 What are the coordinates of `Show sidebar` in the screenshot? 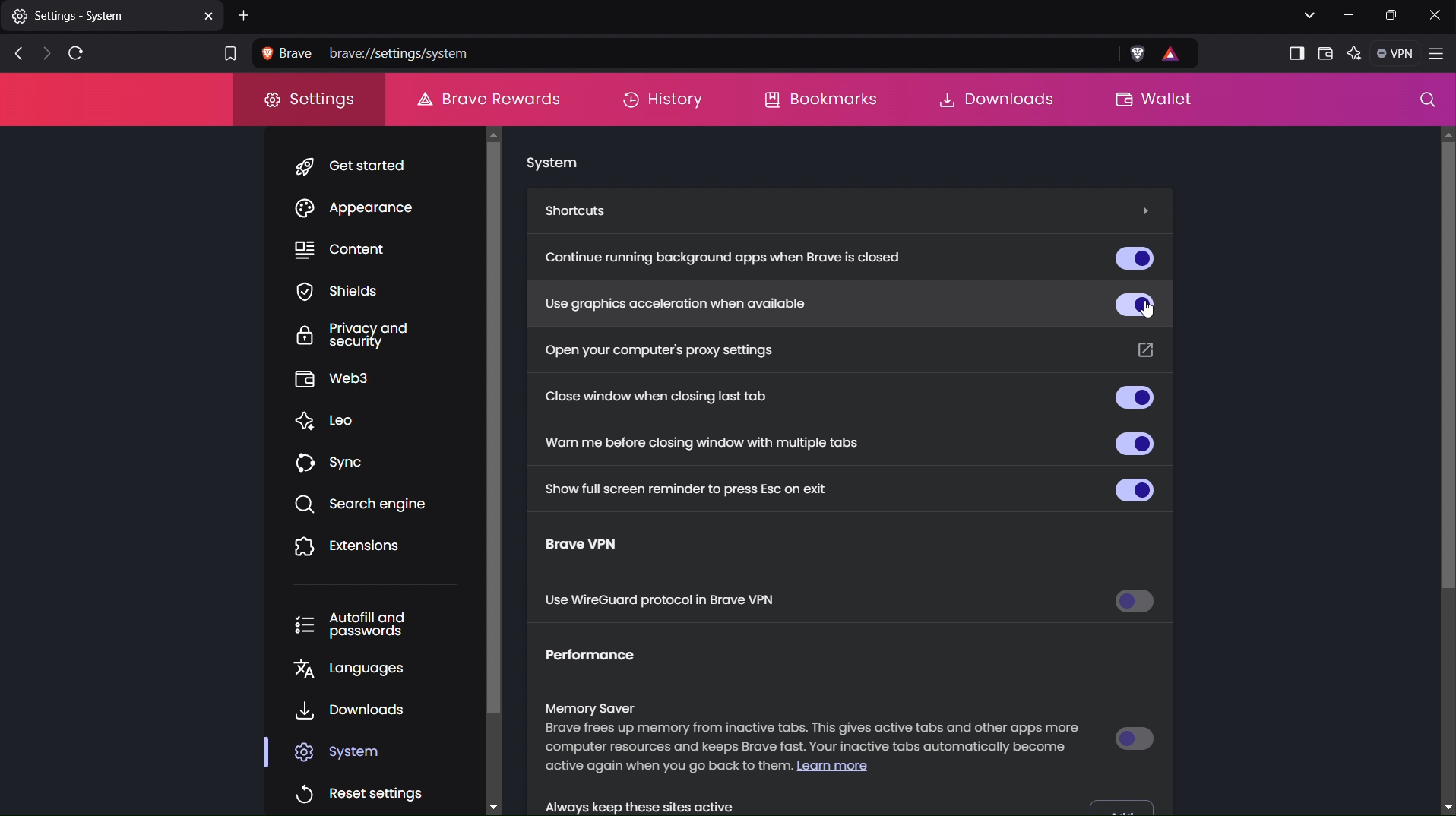 It's located at (1296, 54).